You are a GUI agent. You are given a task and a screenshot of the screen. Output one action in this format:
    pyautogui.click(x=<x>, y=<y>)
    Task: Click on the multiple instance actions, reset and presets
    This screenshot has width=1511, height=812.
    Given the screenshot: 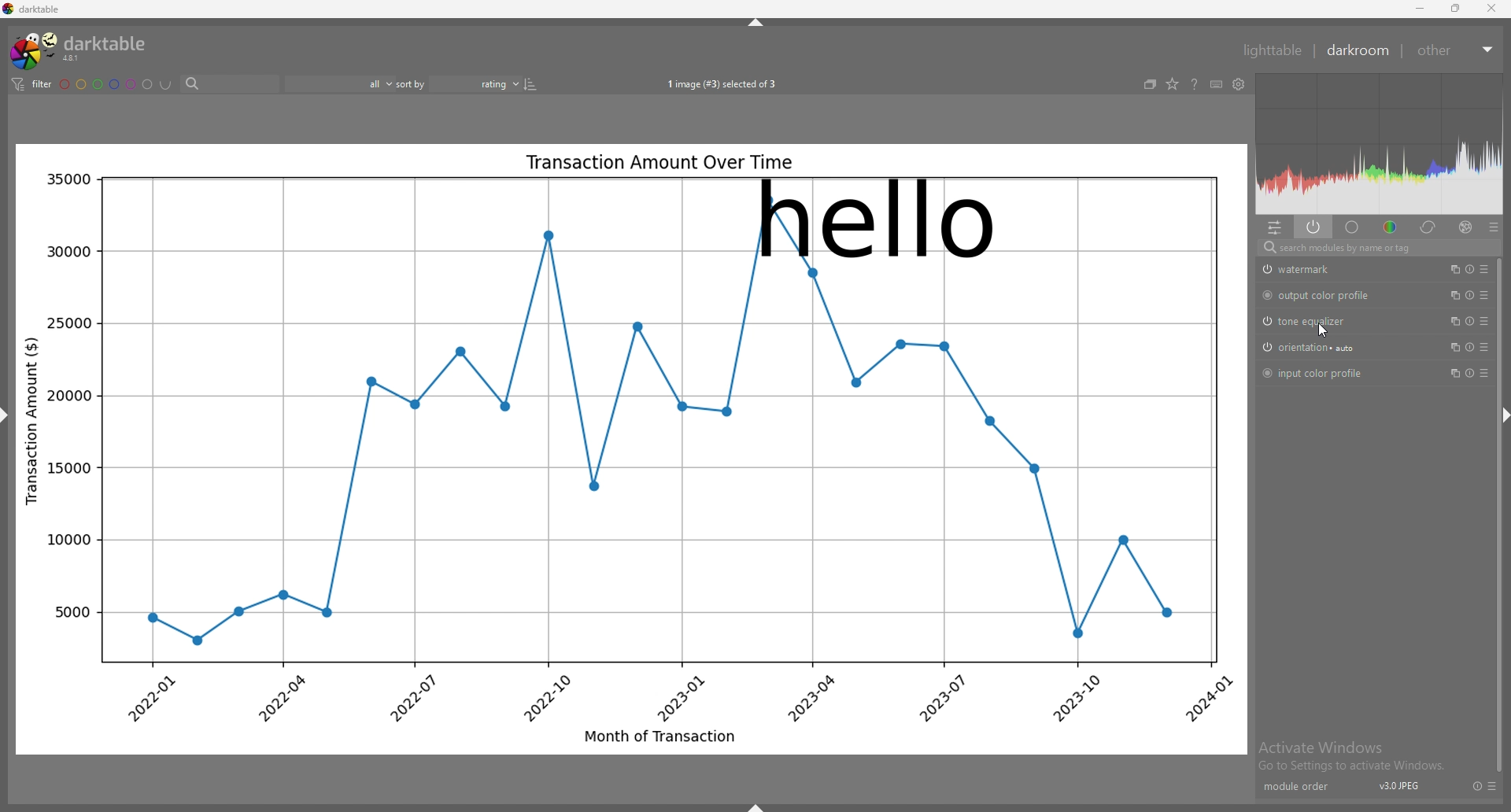 What is the action you would take?
    pyautogui.click(x=1470, y=297)
    